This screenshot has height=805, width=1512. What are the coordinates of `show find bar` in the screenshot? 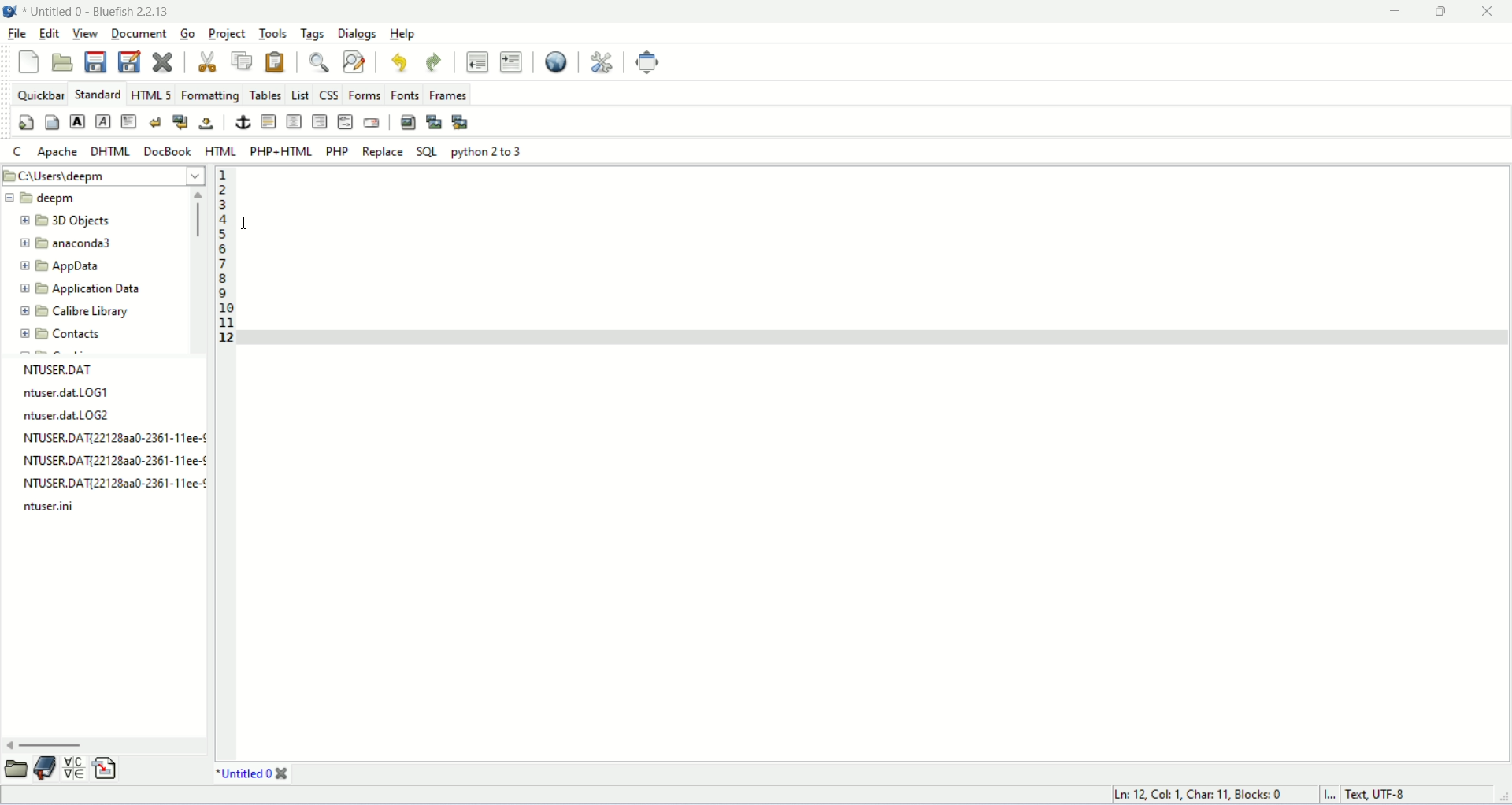 It's located at (322, 62).